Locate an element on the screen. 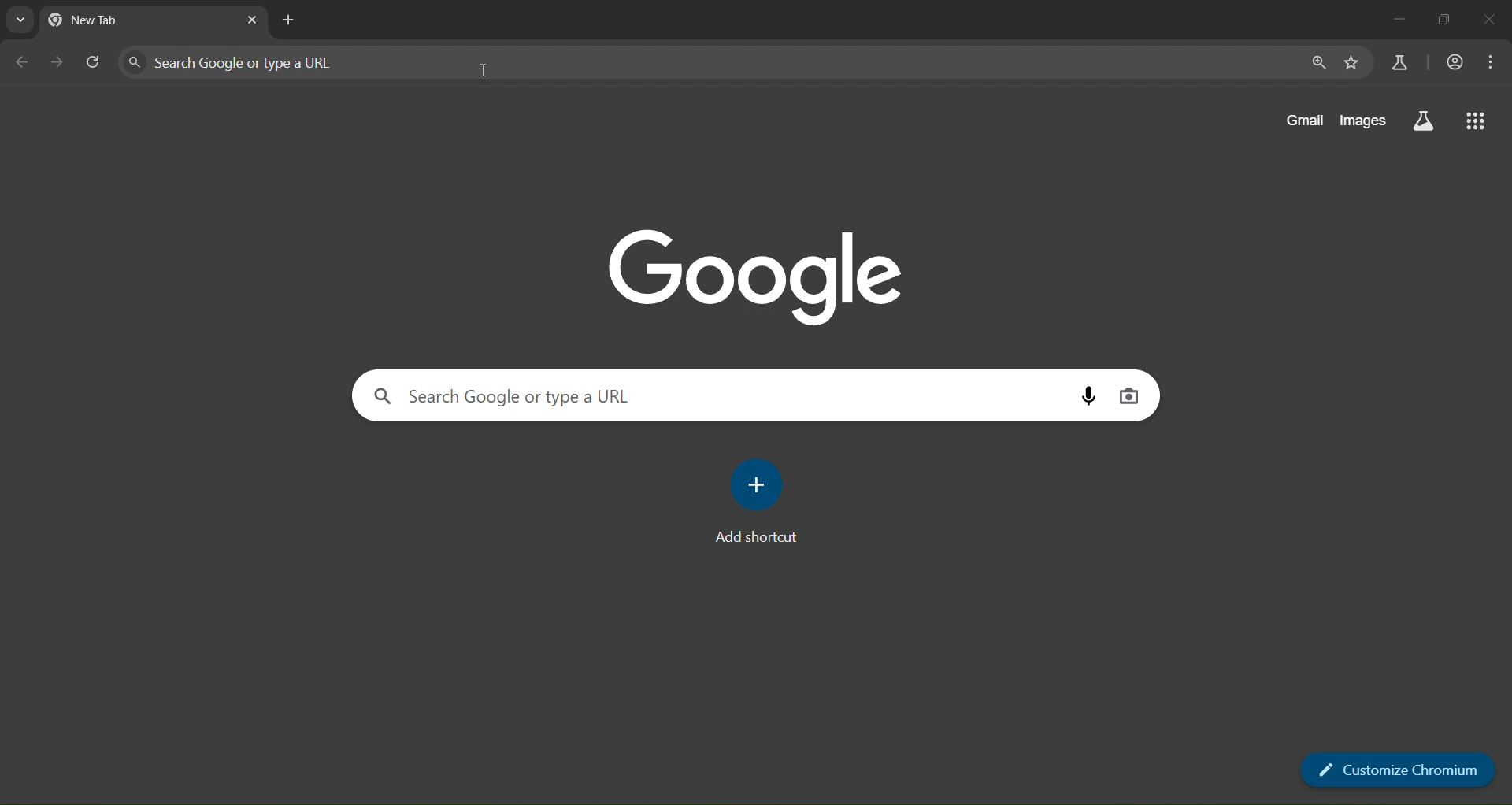  customize chromium is located at coordinates (1402, 770).